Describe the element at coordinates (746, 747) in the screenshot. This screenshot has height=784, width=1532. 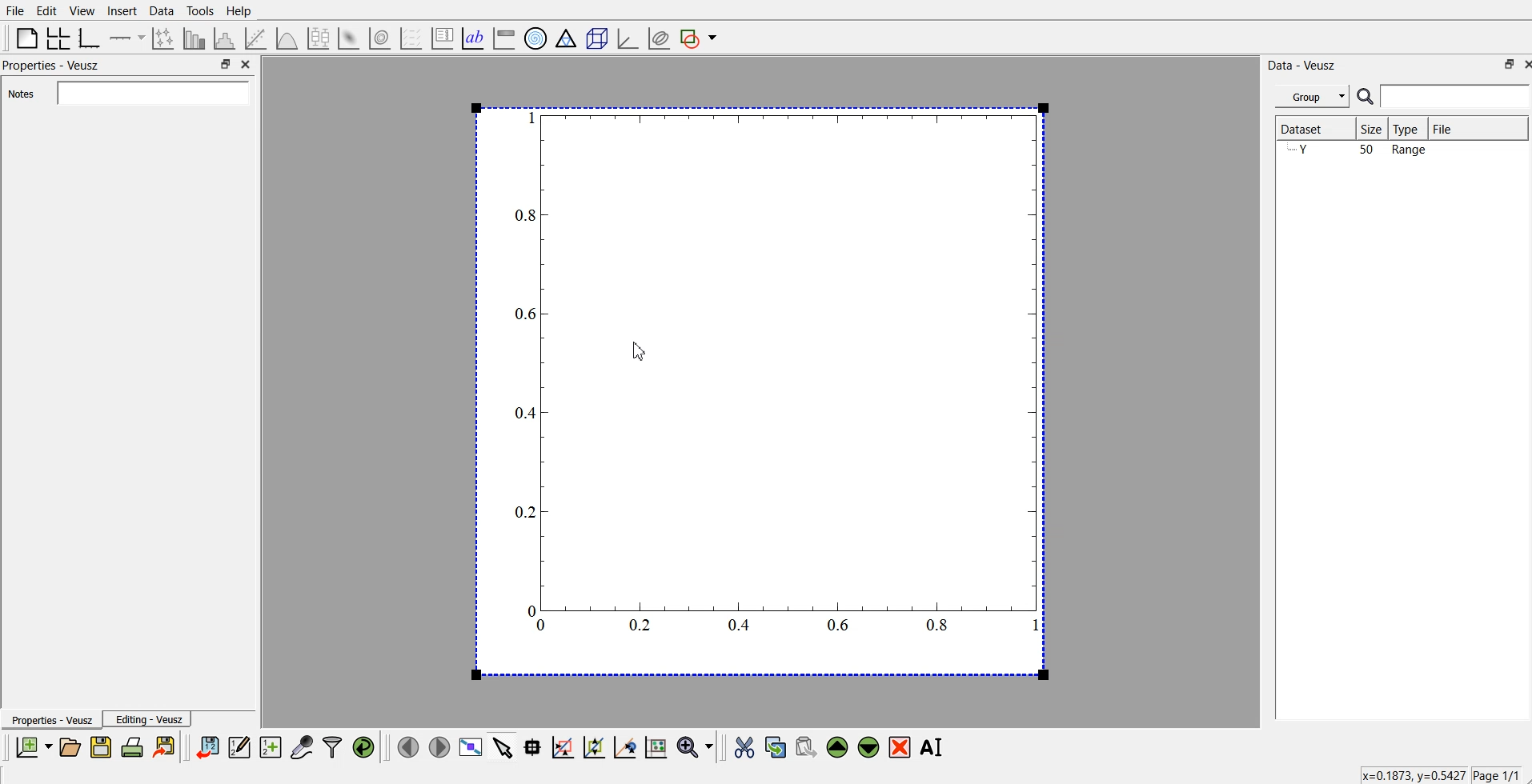
I see `cut the selected widgets` at that location.